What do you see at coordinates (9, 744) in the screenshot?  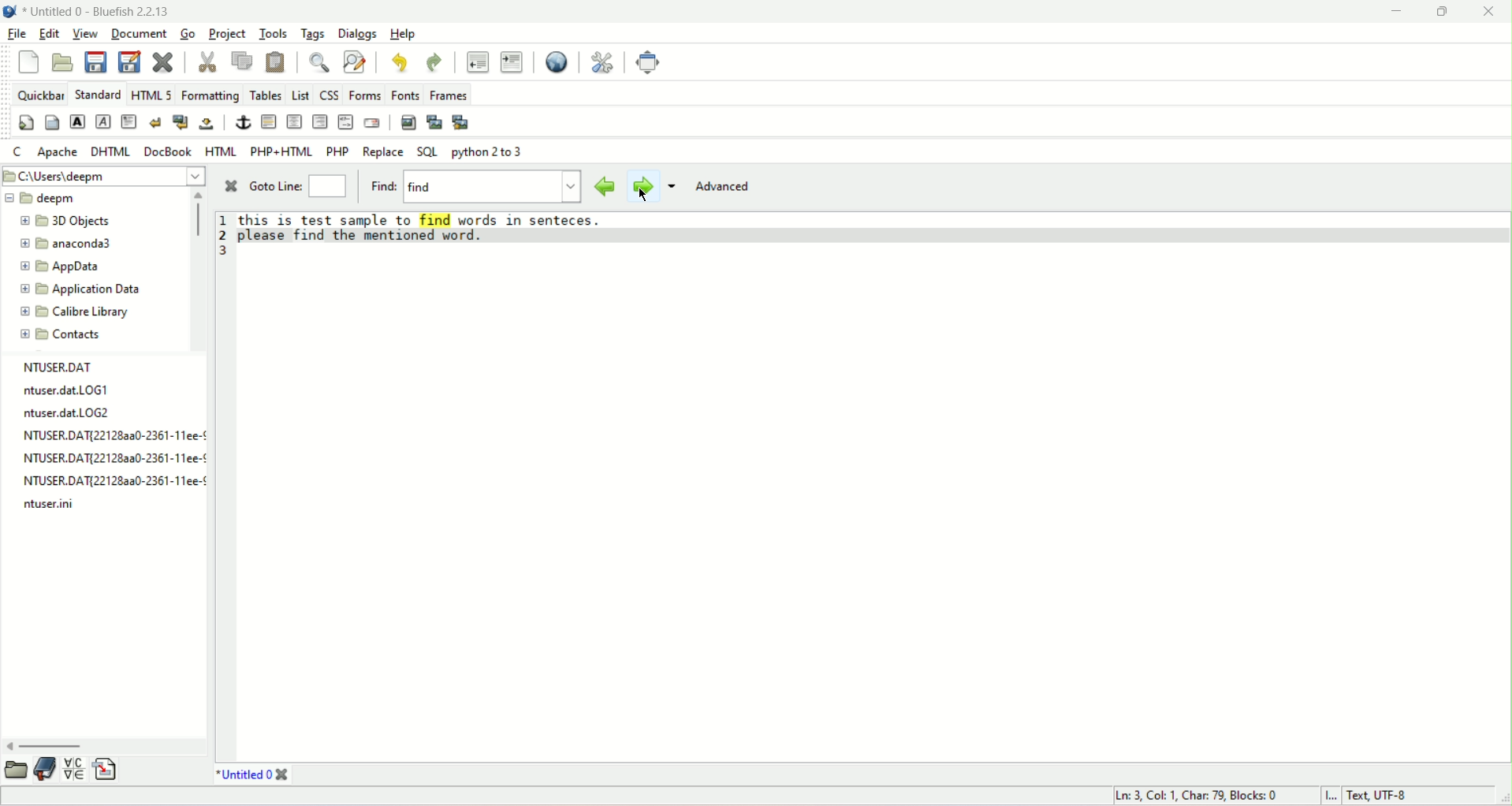 I see `move left` at bounding box center [9, 744].